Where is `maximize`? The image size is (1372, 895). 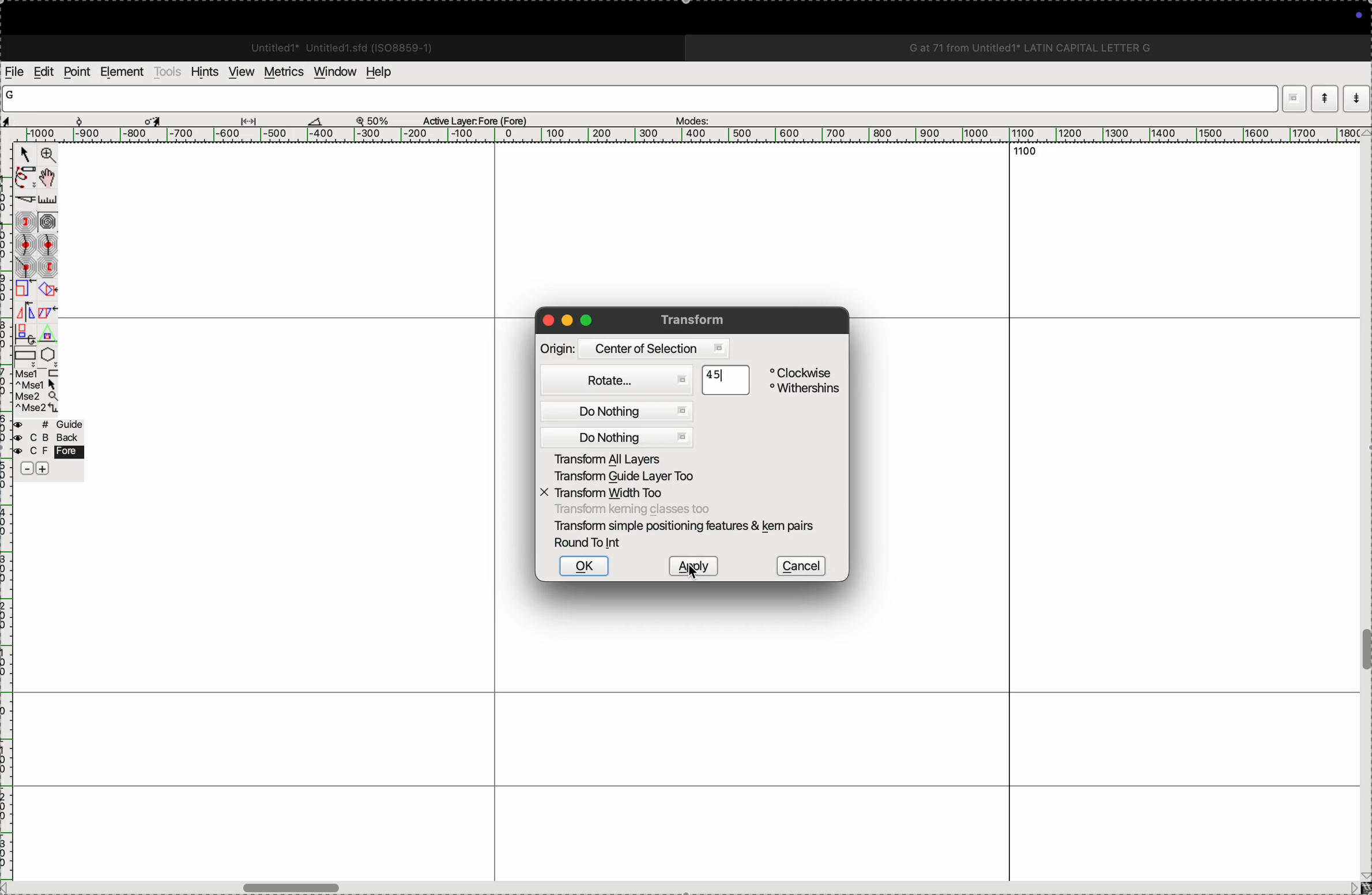
maximize is located at coordinates (591, 321).